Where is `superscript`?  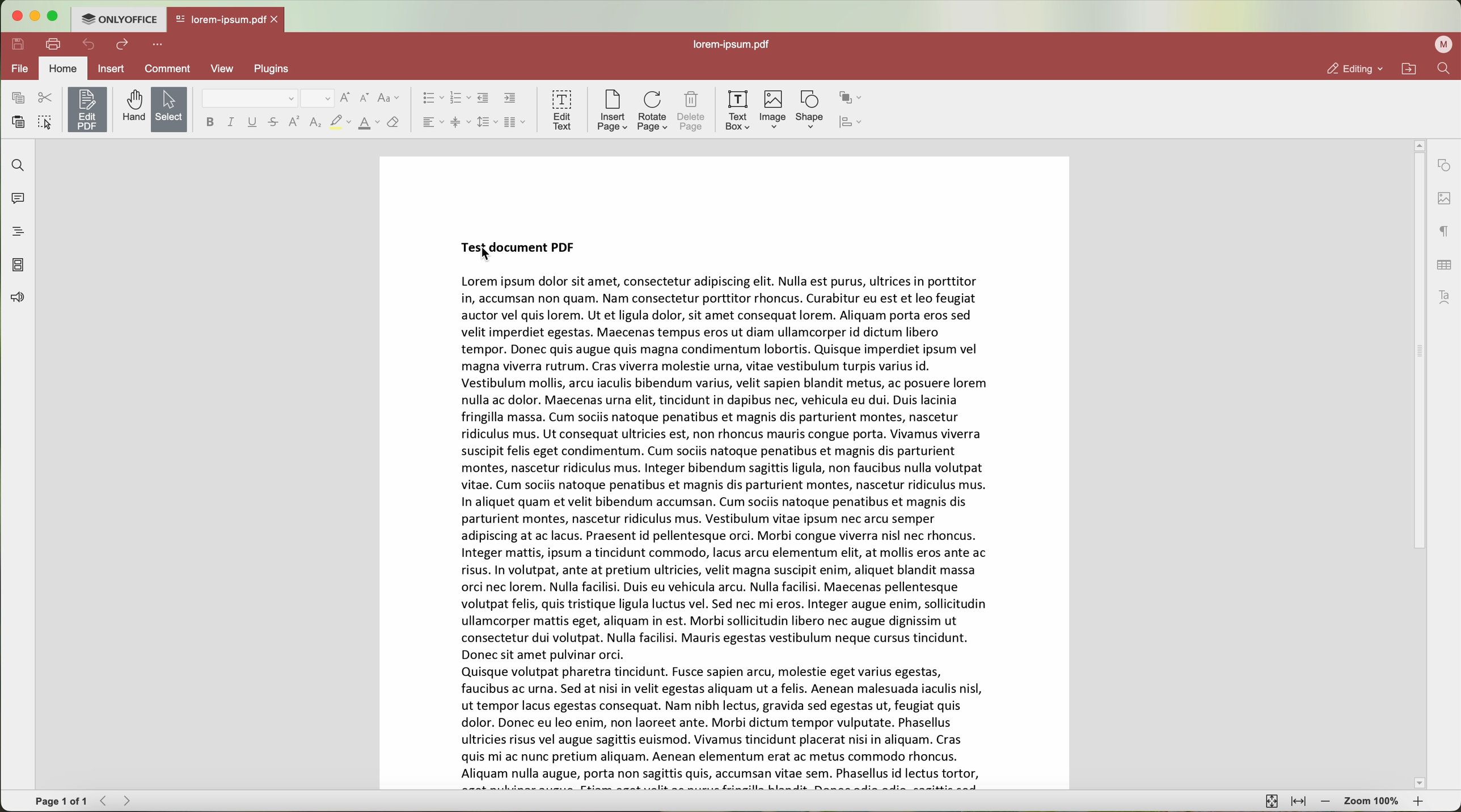 superscript is located at coordinates (293, 122).